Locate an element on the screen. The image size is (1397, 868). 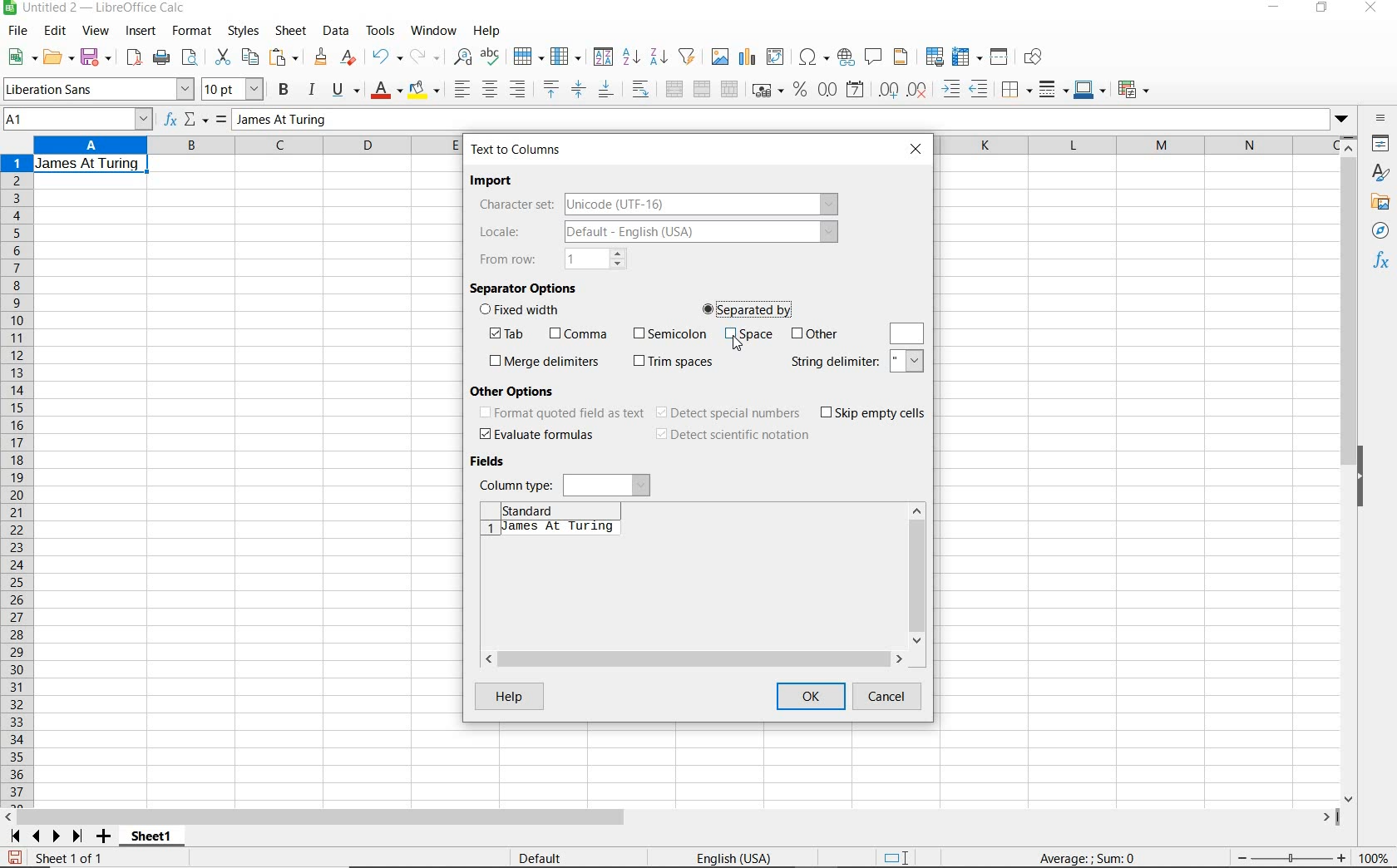
align bottom is located at coordinates (605, 89).